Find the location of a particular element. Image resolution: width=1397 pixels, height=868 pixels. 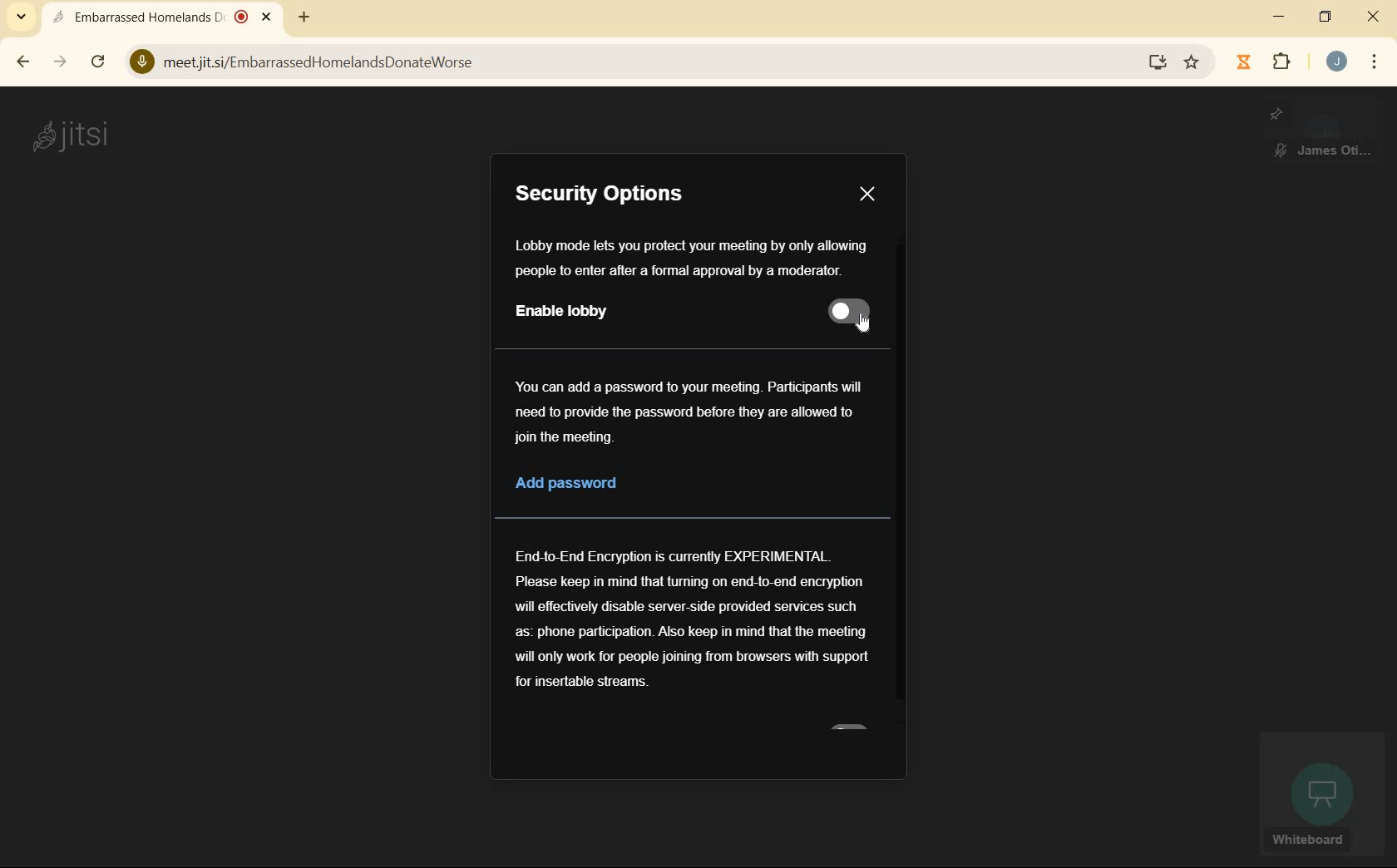

back is located at coordinates (22, 61).